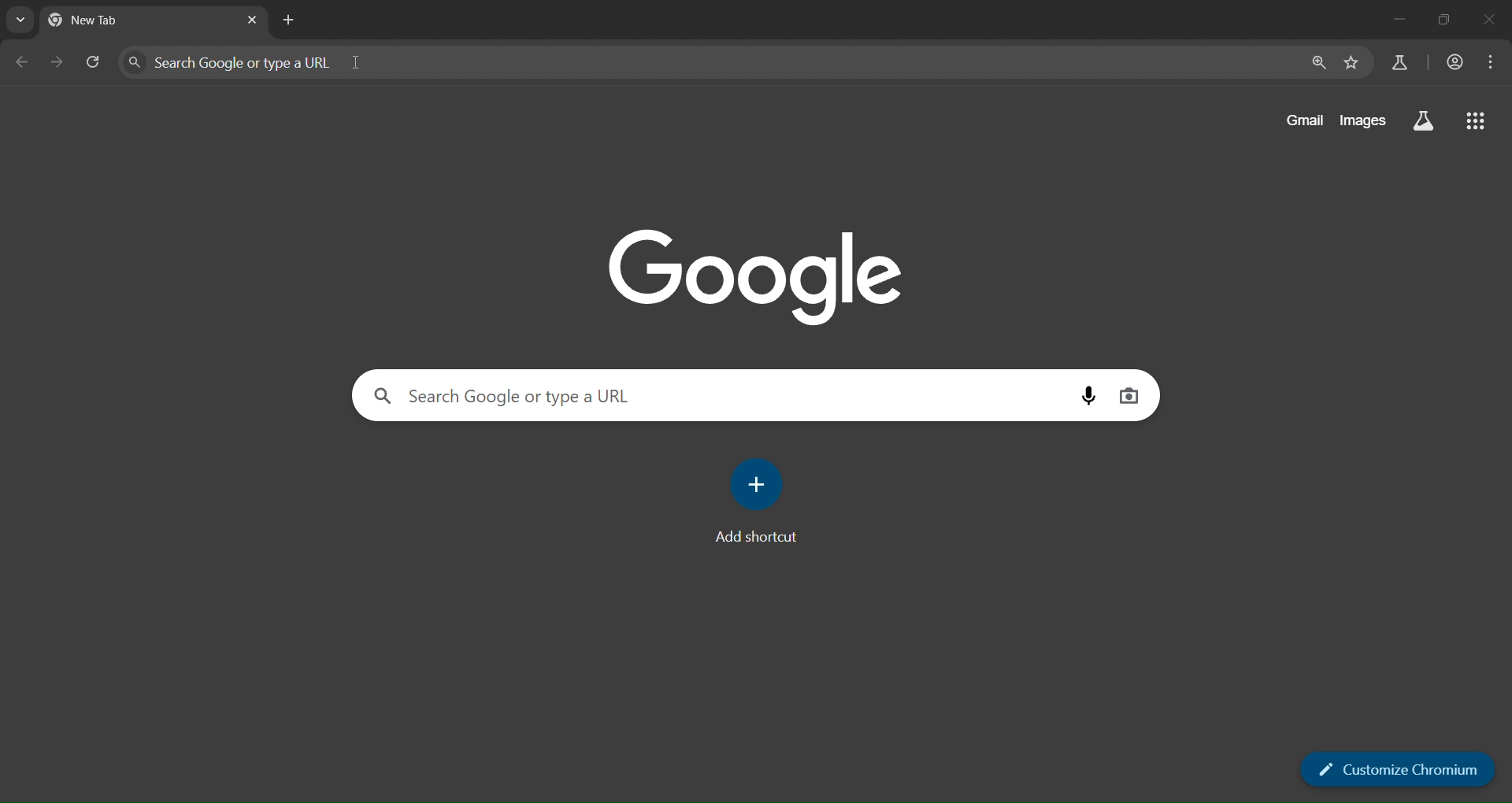  Describe the element at coordinates (1492, 62) in the screenshot. I see `menu` at that location.